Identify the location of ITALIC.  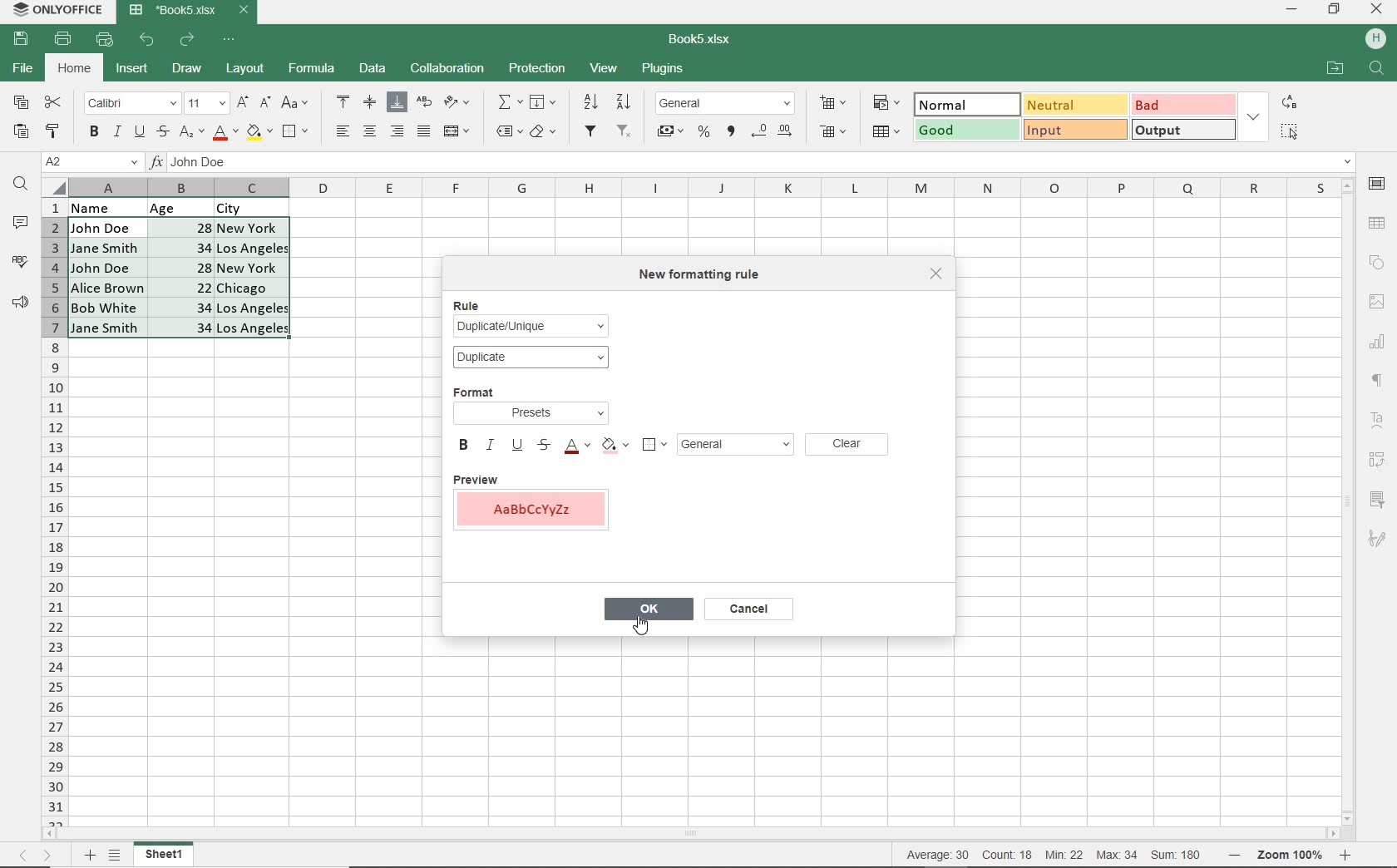
(116, 131).